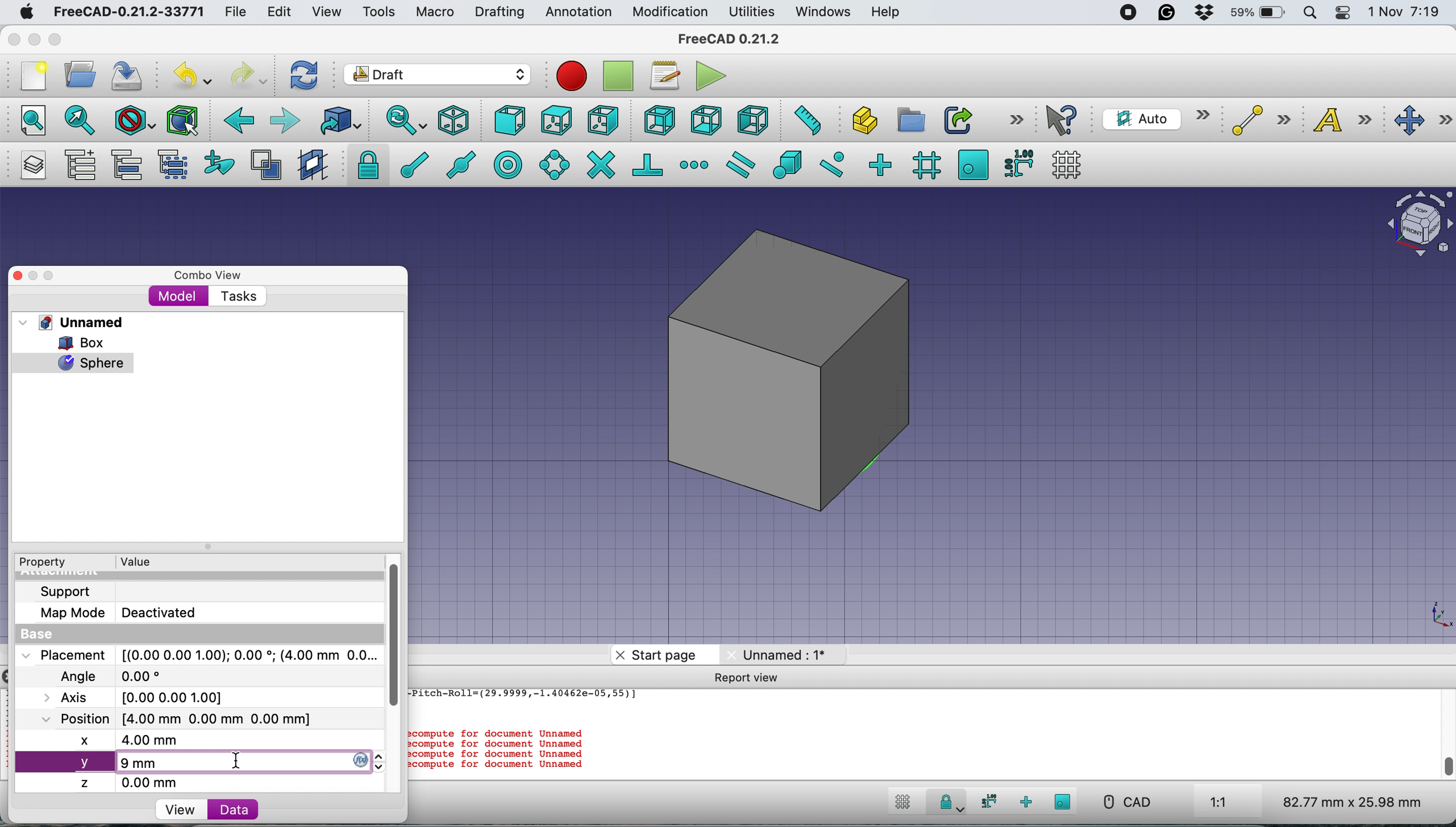 The height and width of the screenshot is (827, 1456). Describe the element at coordinates (76, 322) in the screenshot. I see `unnamed` at that location.